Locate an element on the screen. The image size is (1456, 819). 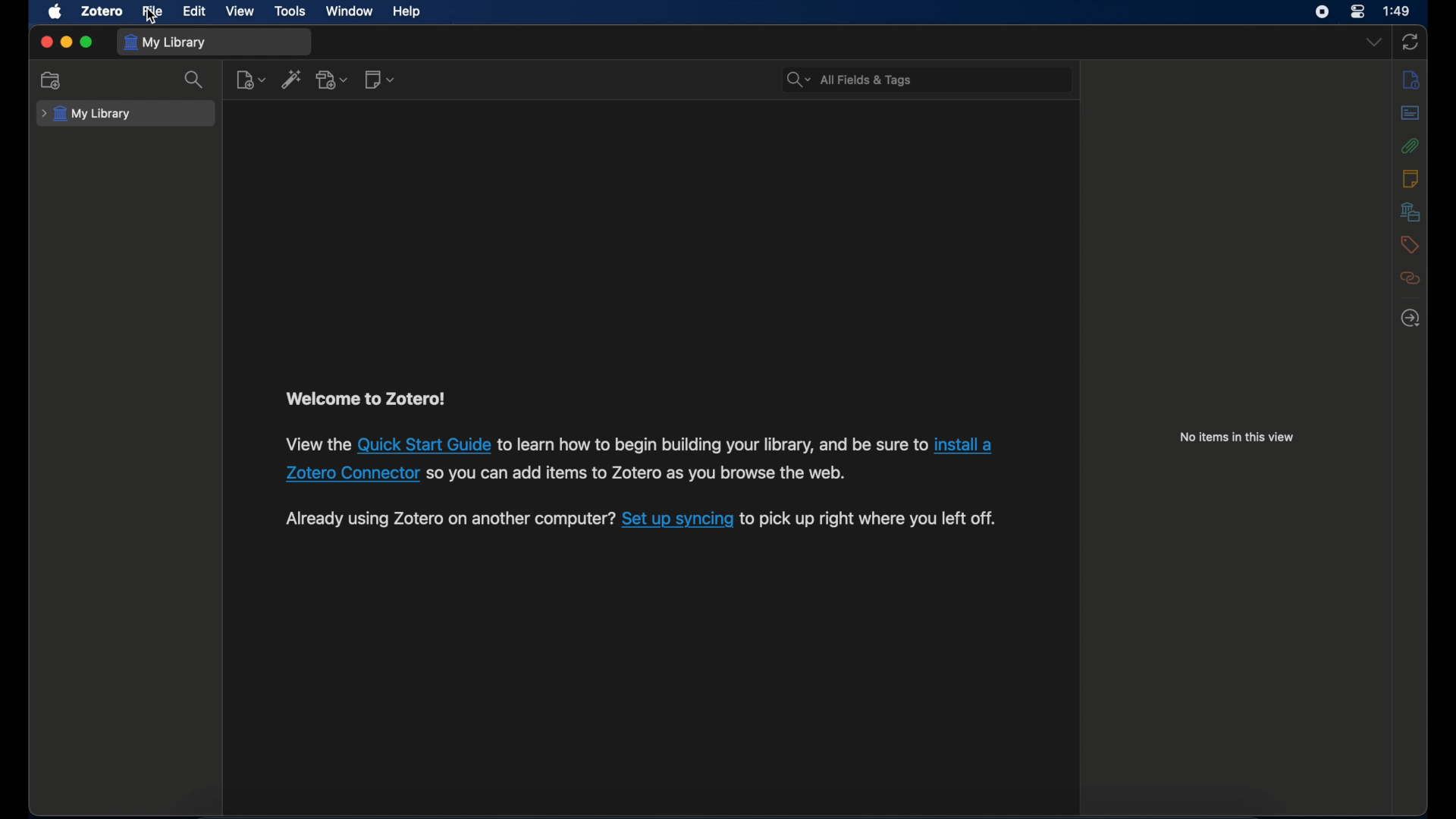
view is located at coordinates (241, 11).